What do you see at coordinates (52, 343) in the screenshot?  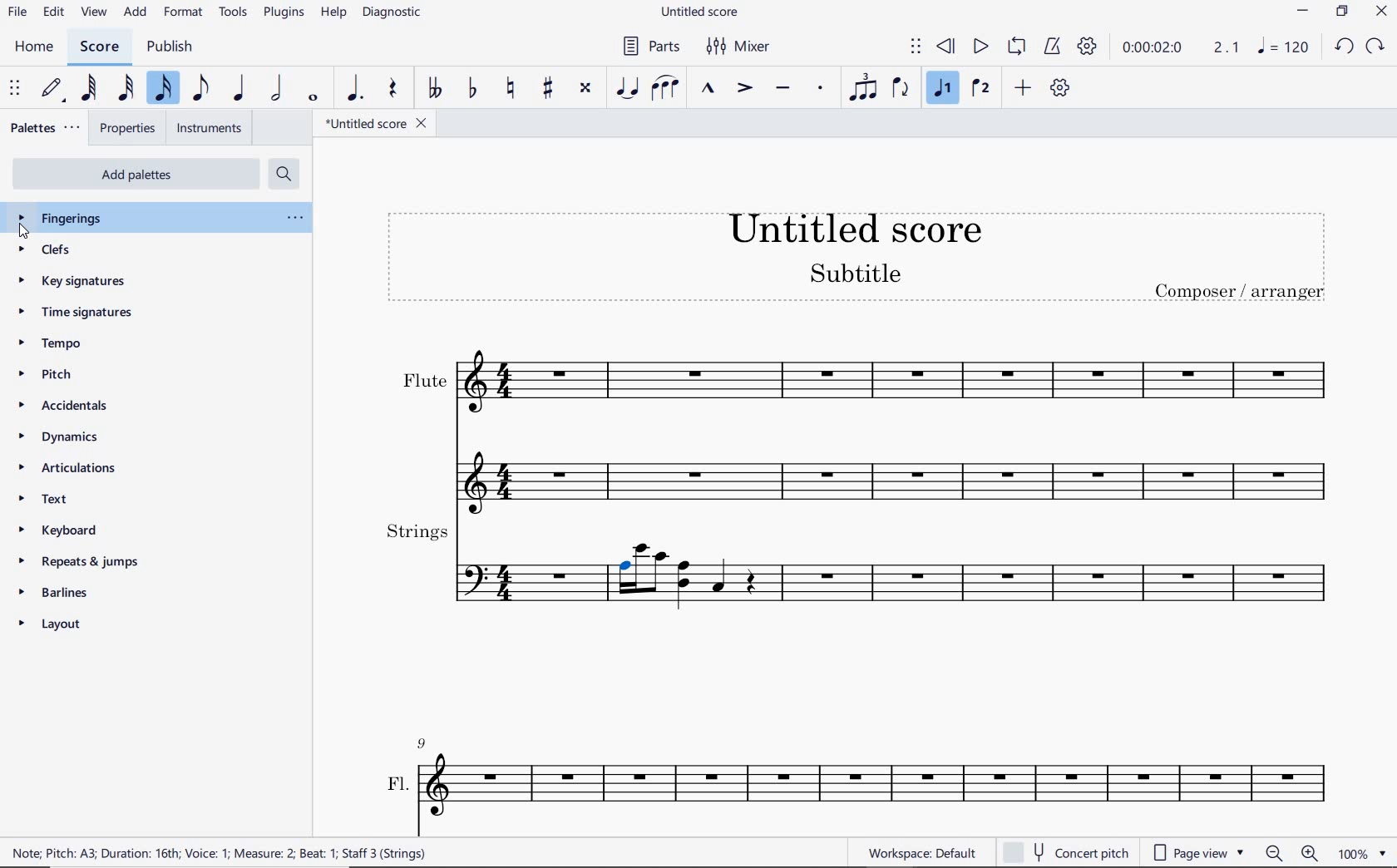 I see `tempo` at bounding box center [52, 343].